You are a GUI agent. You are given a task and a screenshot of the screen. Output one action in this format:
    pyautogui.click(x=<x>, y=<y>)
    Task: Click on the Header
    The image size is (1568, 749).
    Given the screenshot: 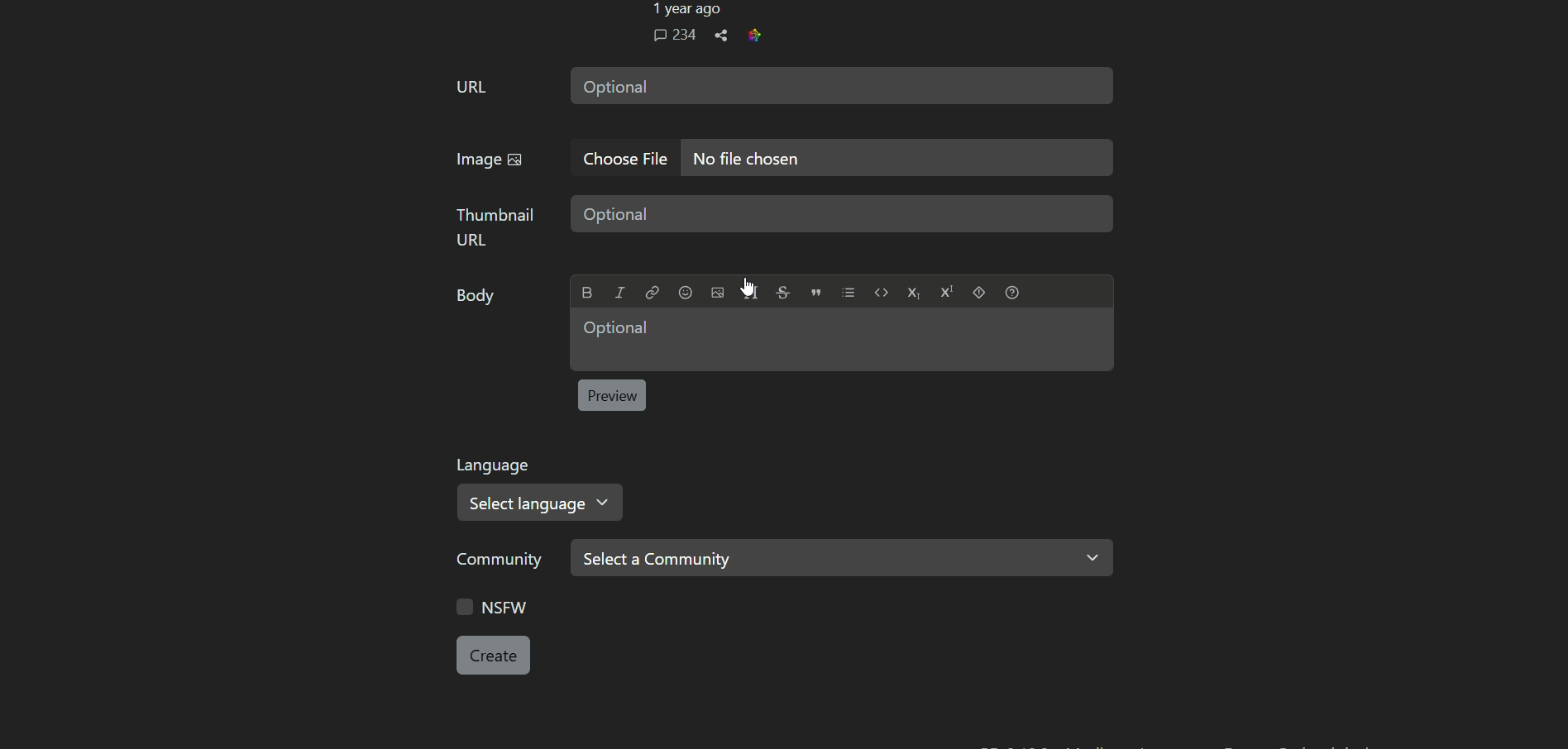 What is the action you would take?
    pyautogui.click(x=750, y=292)
    